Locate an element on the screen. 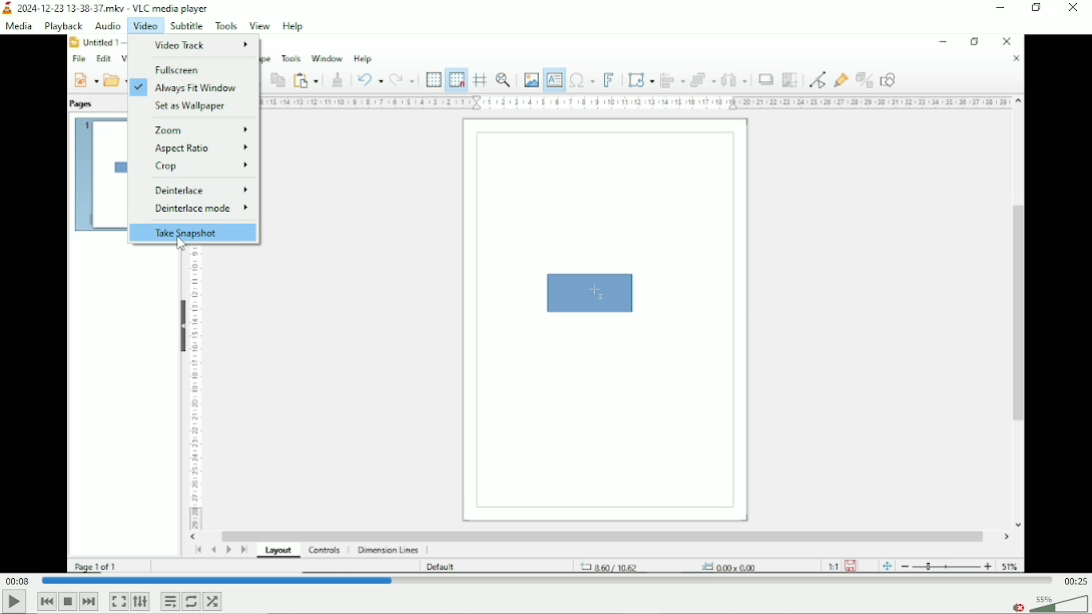 This screenshot has width=1092, height=614. cursor is located at coordinates (181, 244).